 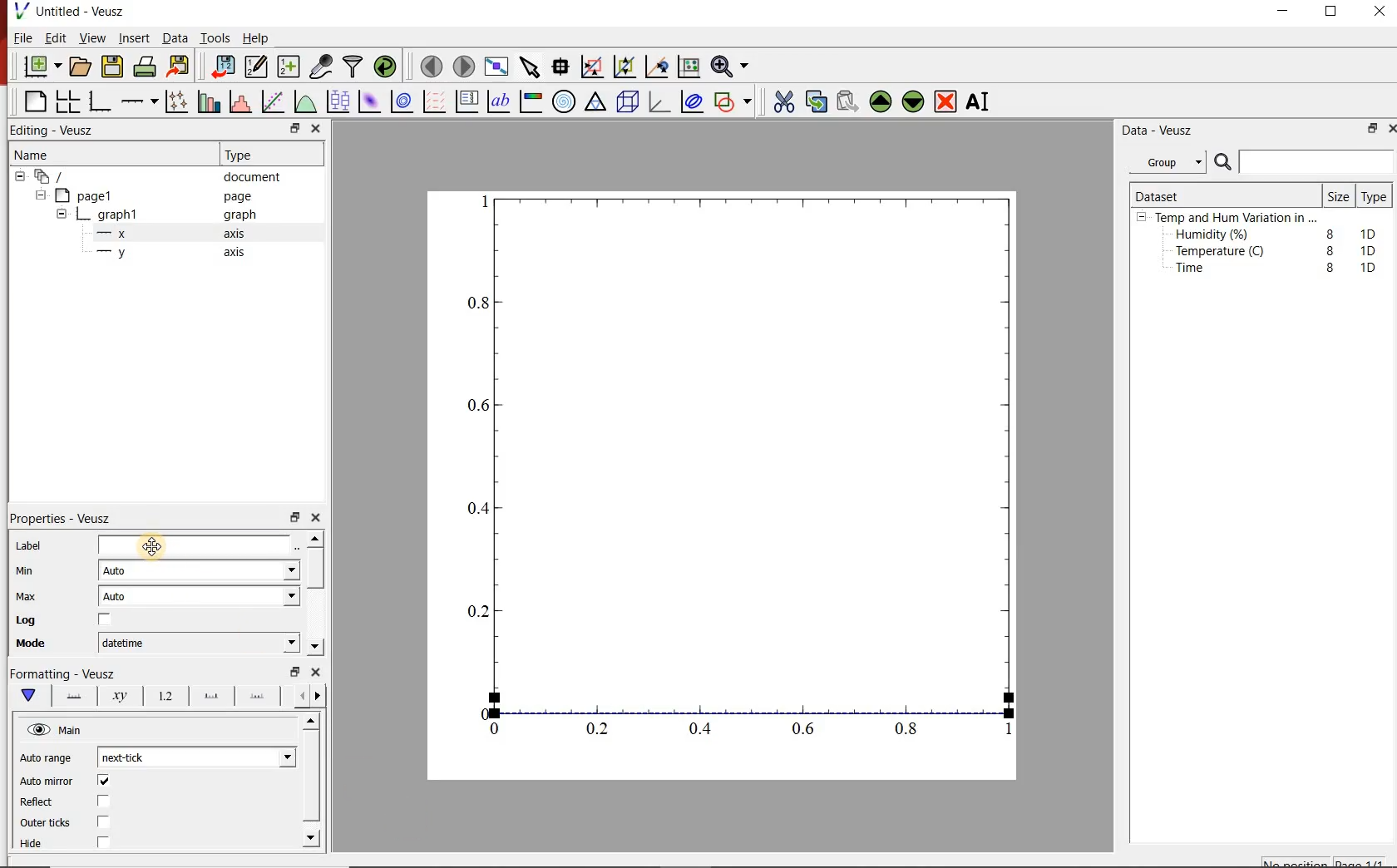 I want to click on open a document, so click(x=81, y=67).